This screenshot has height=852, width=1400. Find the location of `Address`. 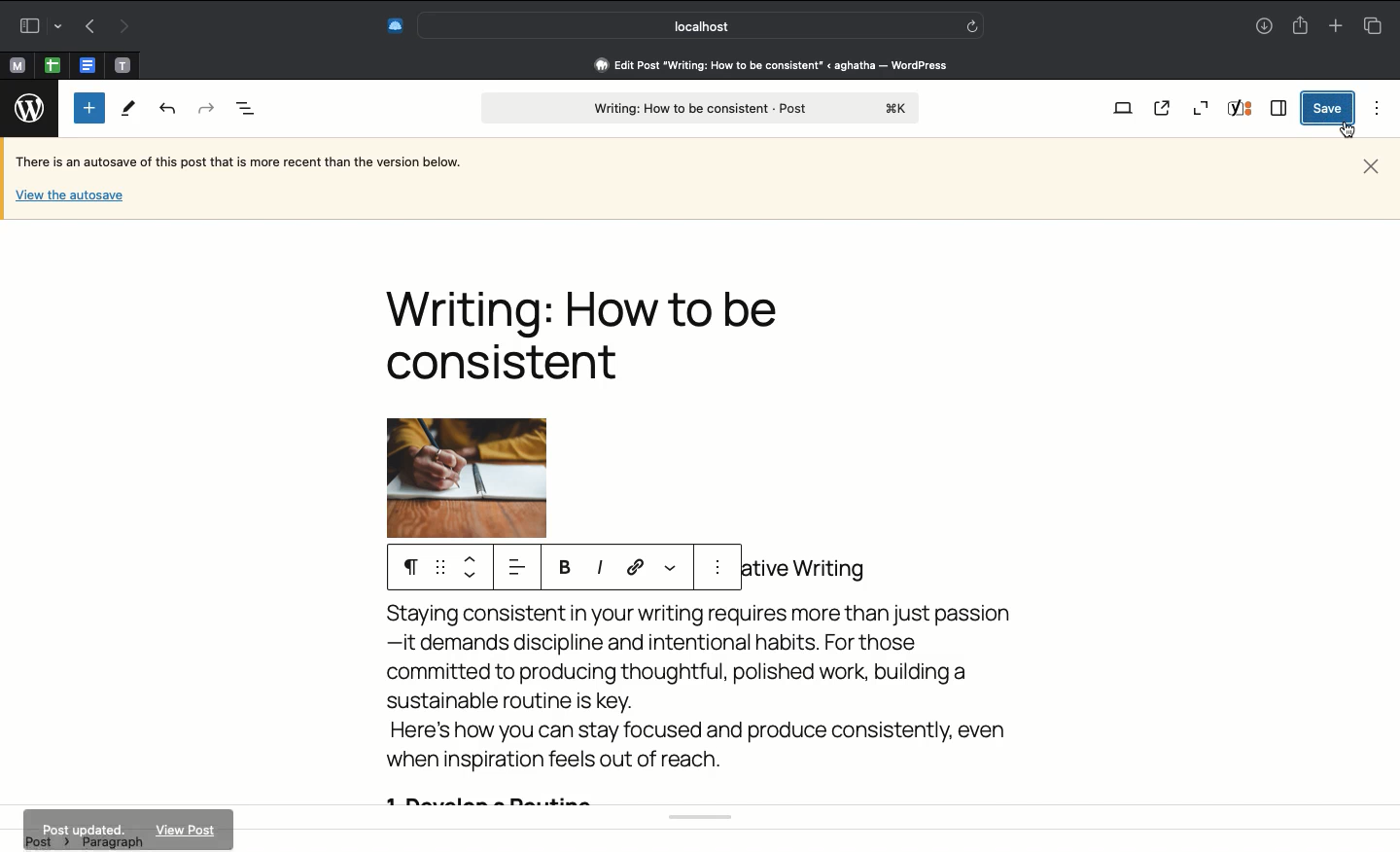

Address is located at coordinates (758, 65).